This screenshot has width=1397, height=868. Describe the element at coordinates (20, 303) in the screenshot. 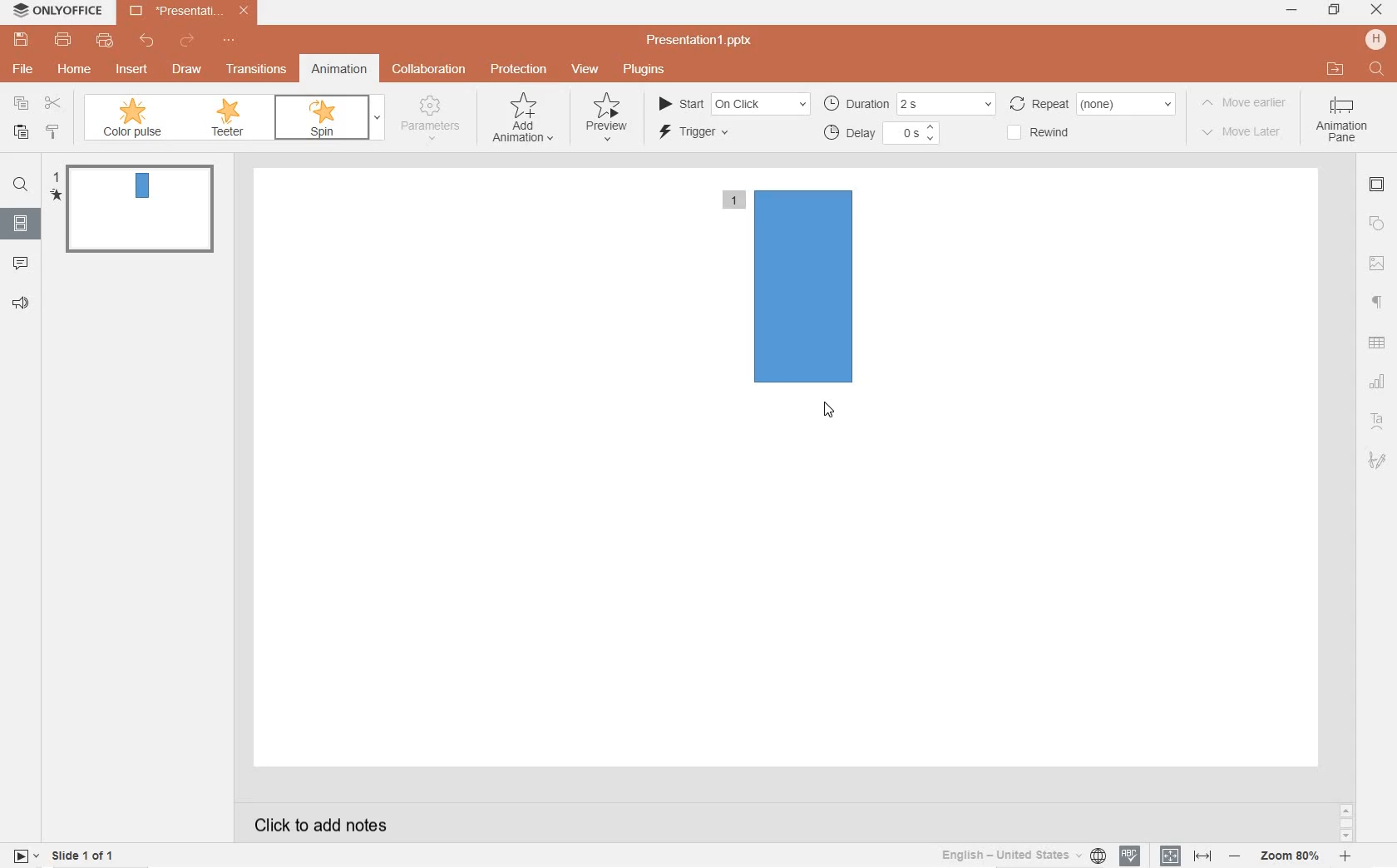

I see `feedback & support` at that location.